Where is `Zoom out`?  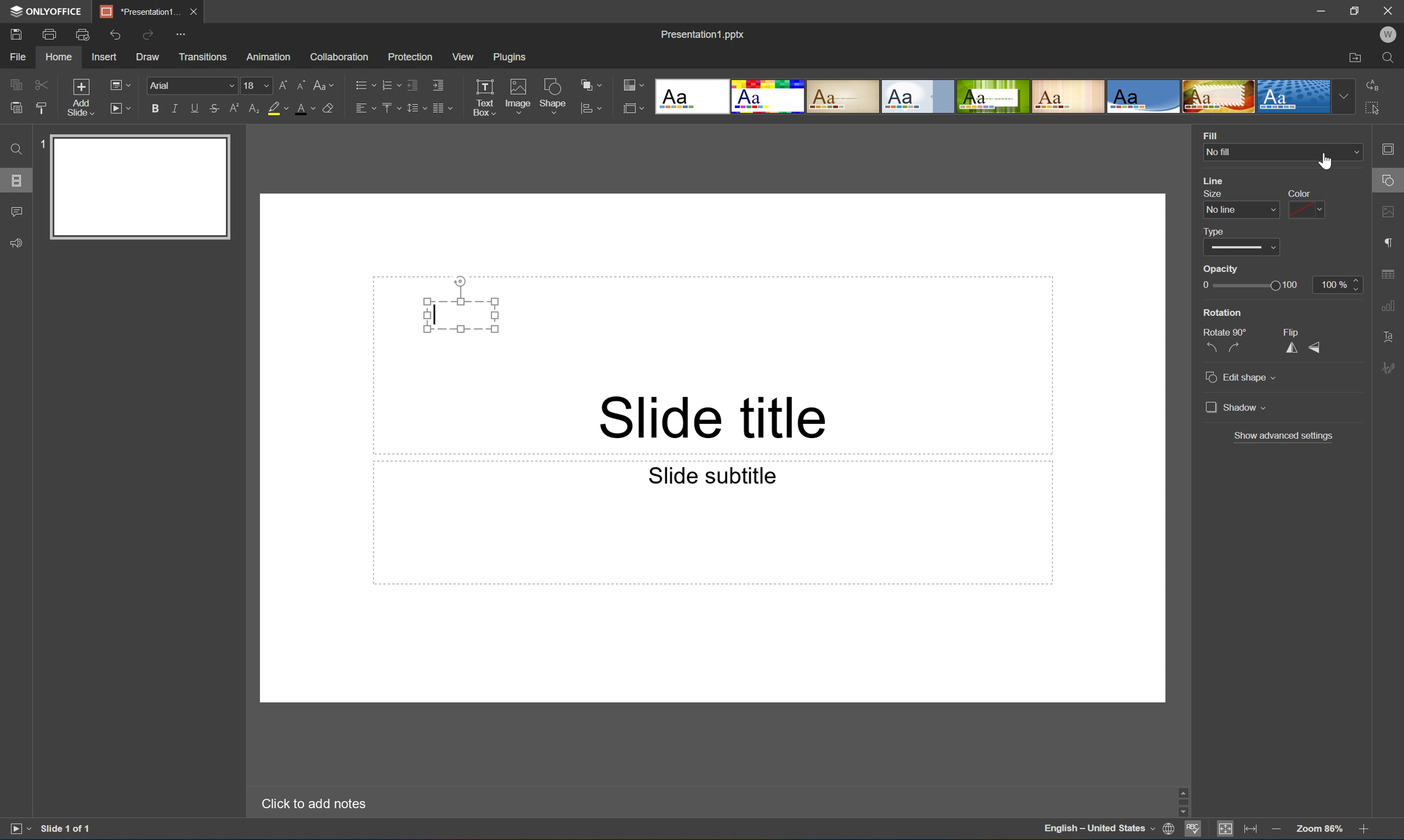
Zoom out is located at coordinates (1275, 829).